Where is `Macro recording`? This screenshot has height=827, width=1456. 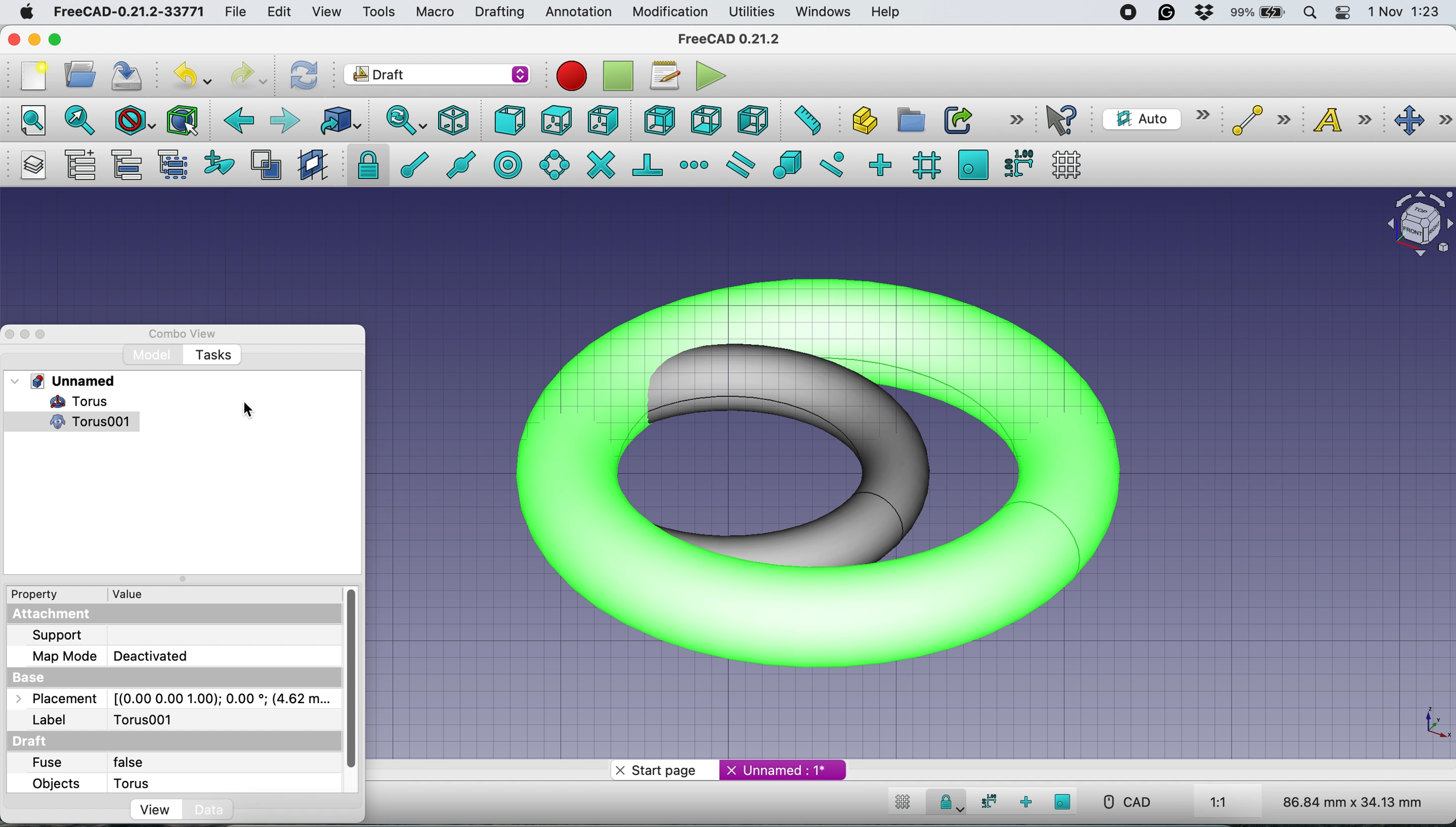
Macro recording is located at coordinates (571, 76).